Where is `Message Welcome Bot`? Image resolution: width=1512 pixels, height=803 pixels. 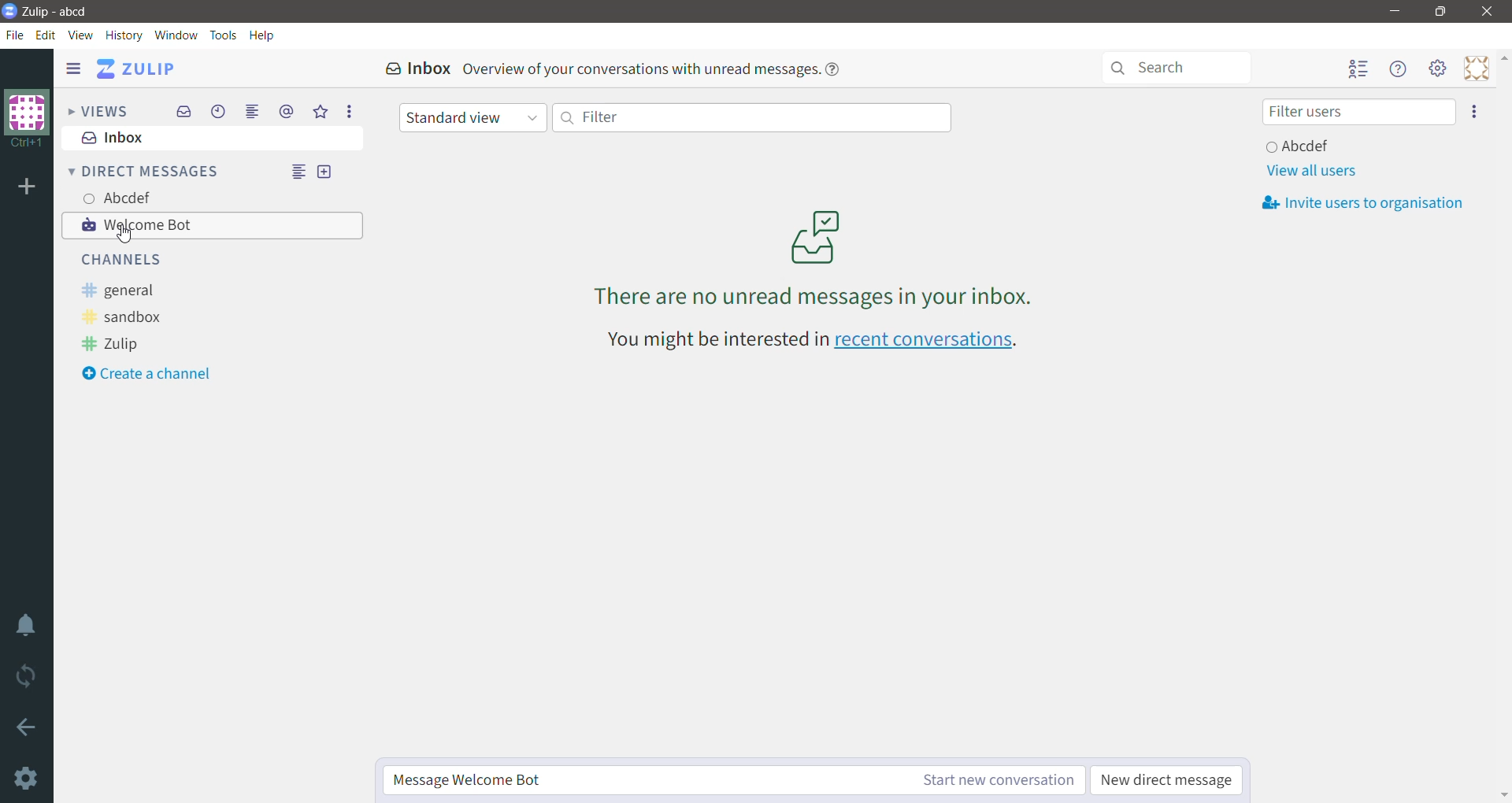 Message Welcome Bot is located at coordinates (615, 781).